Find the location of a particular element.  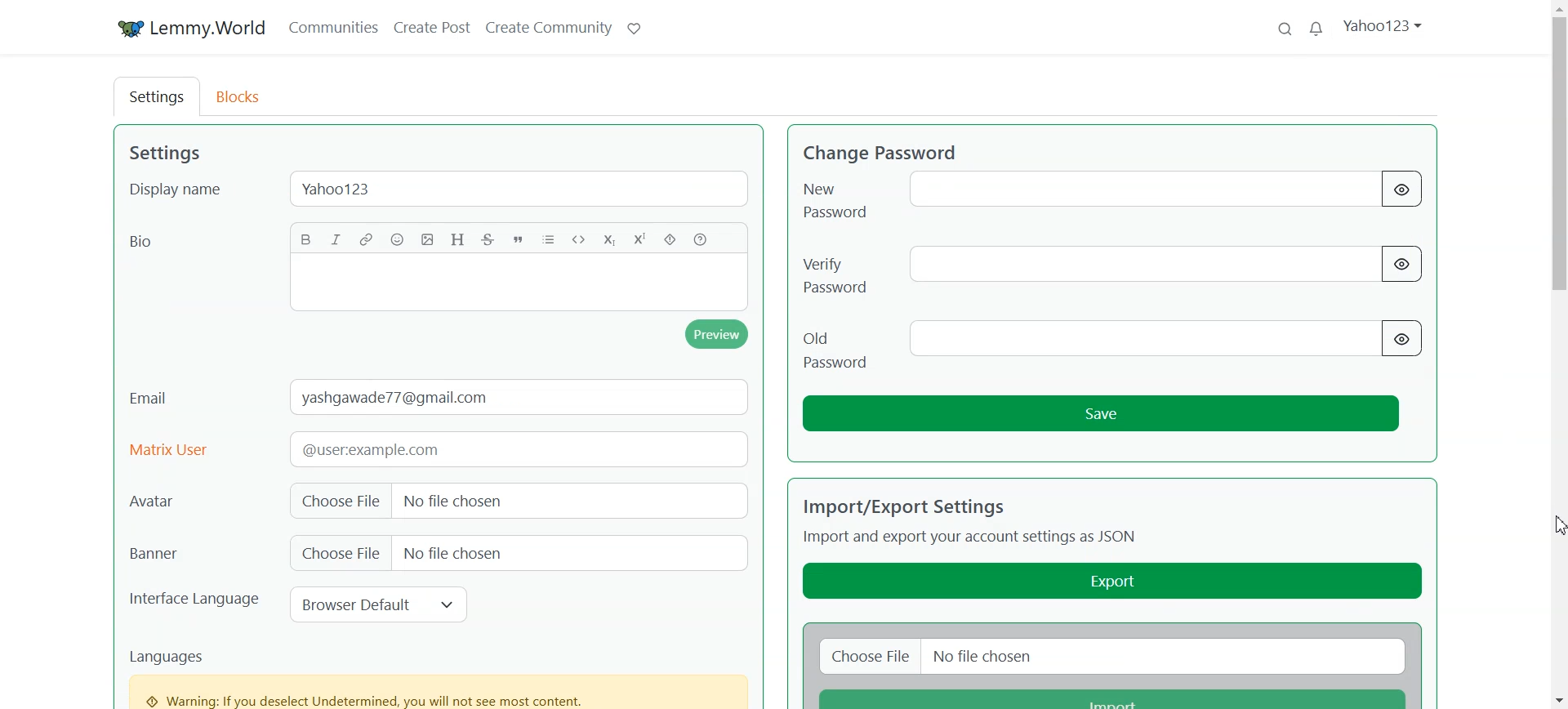

Yahoo123 is located at coordinates (524, 187).